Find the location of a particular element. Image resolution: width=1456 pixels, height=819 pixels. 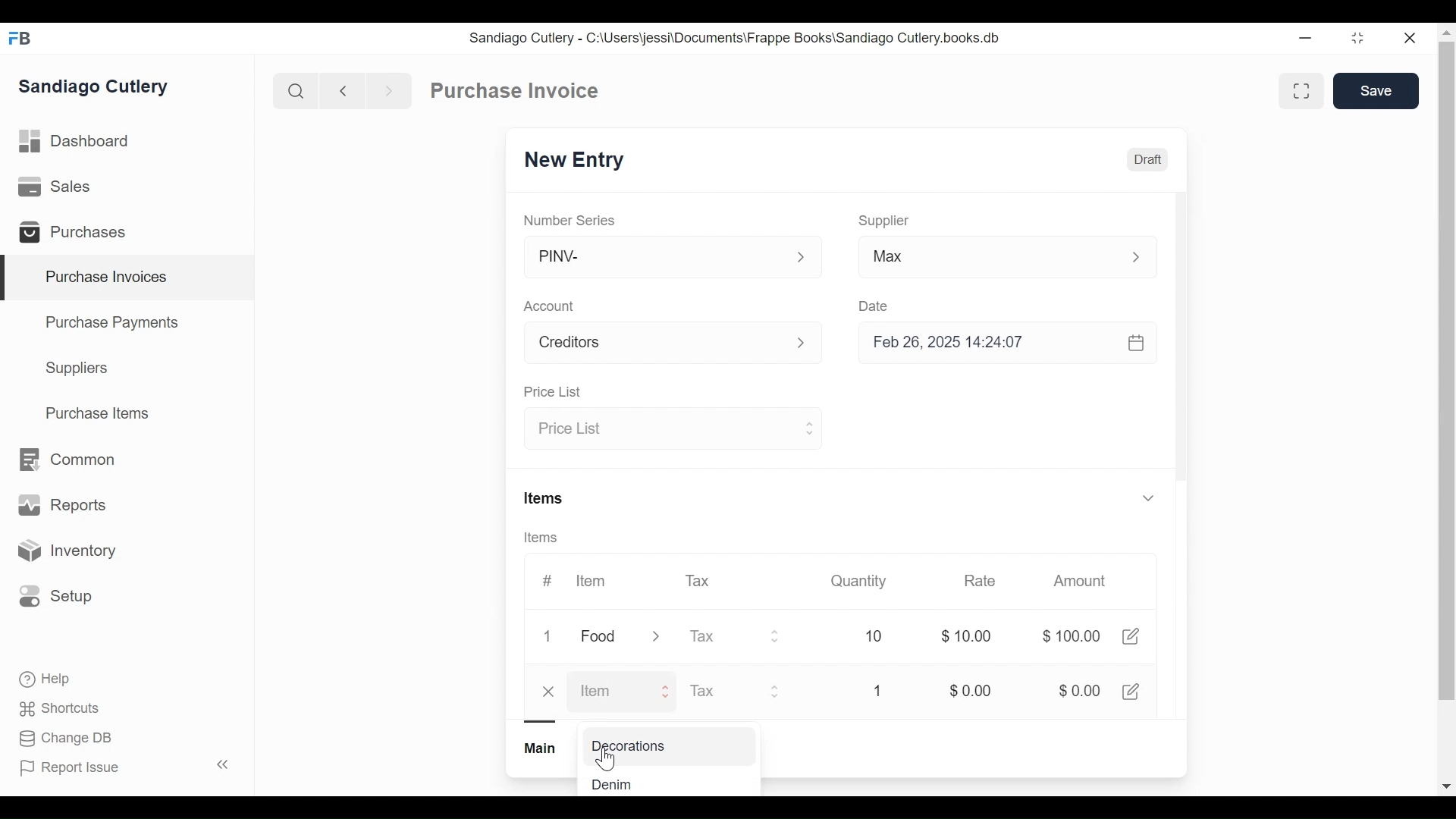

Common is located at coordinates (65, 460).